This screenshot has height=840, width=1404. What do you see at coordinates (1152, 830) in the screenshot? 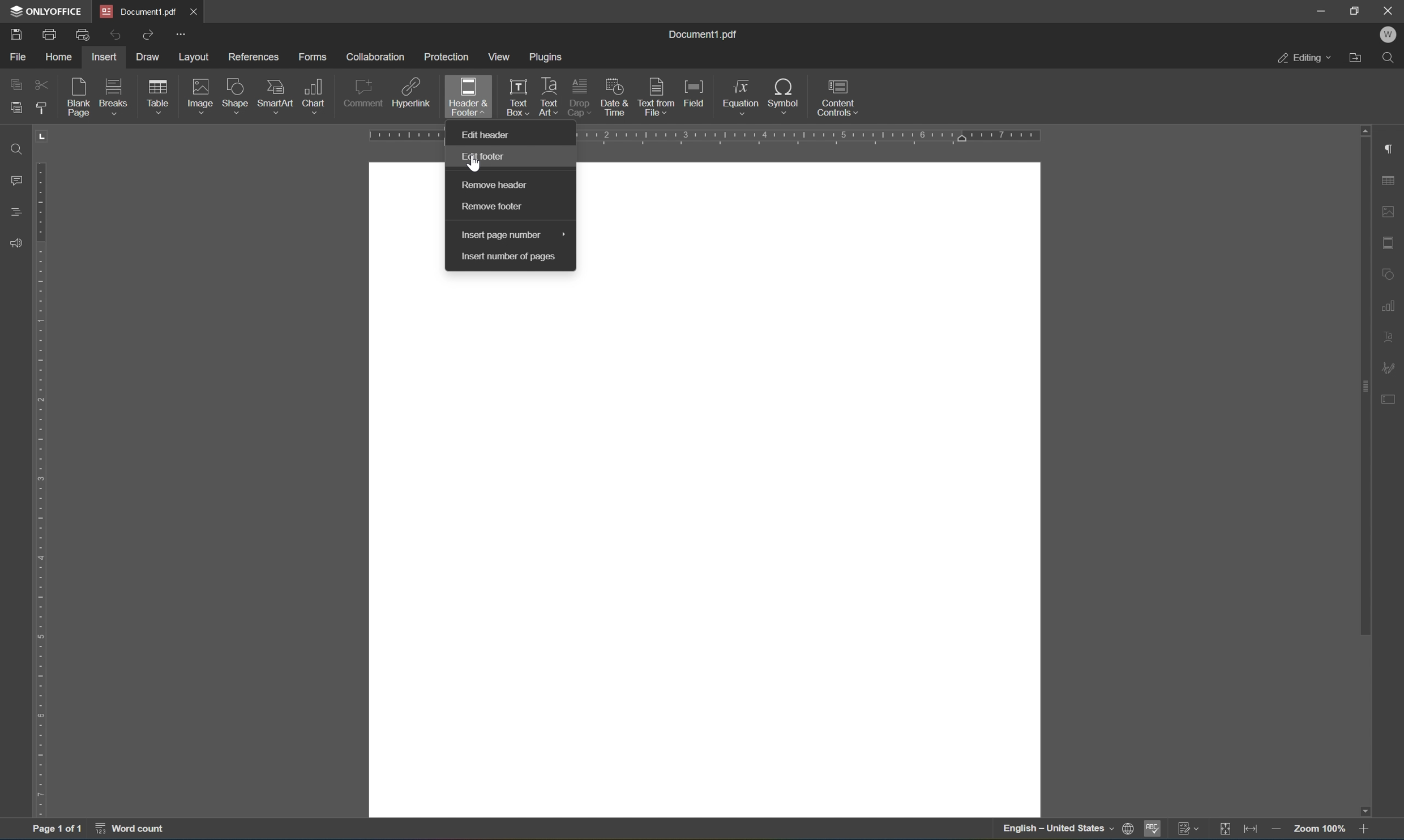
I see `spell checking` at bounding box center [1152, 830].